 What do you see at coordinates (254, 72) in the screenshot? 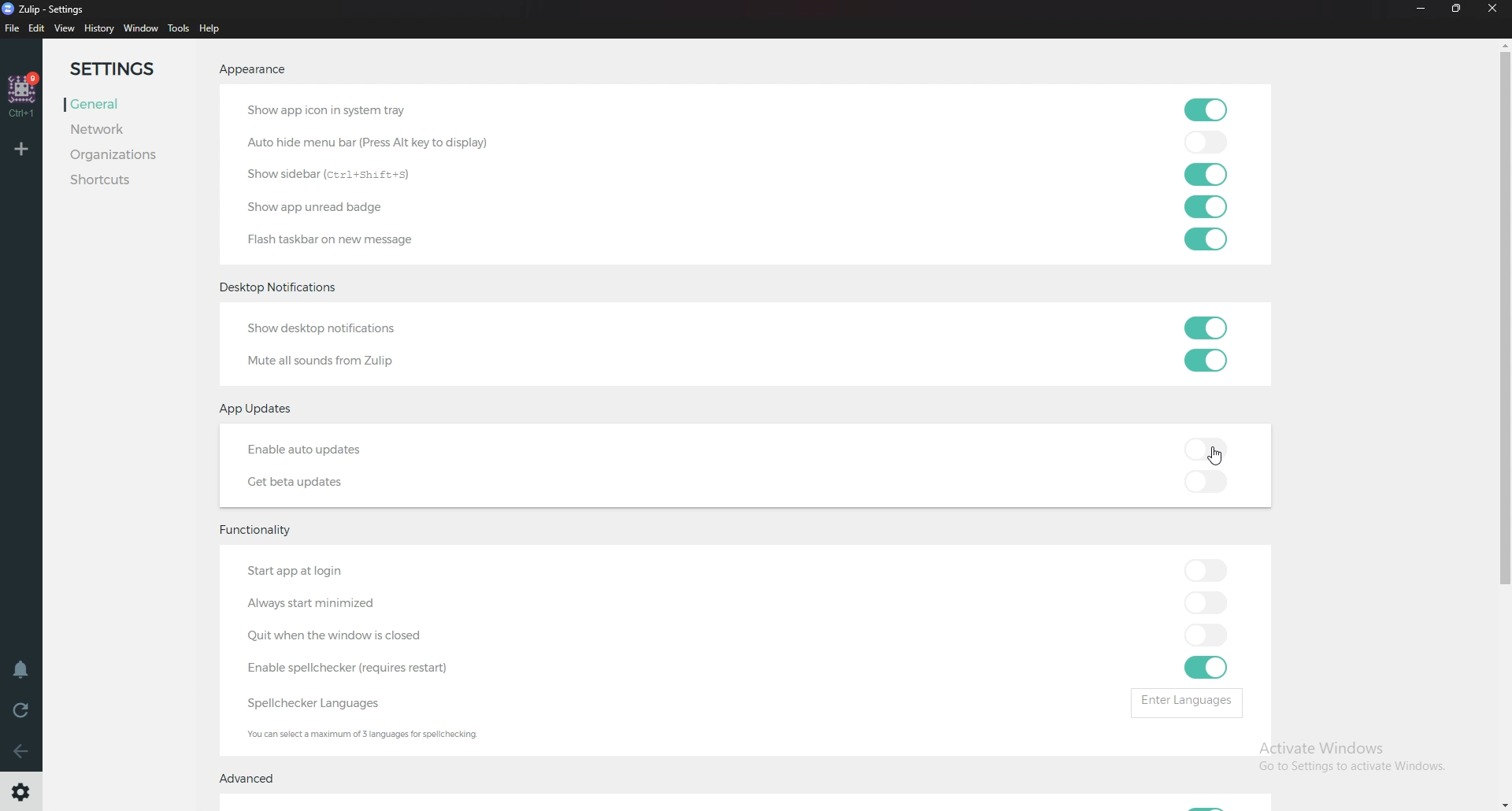
I see `Appearance` at bounding box center [254, 72].